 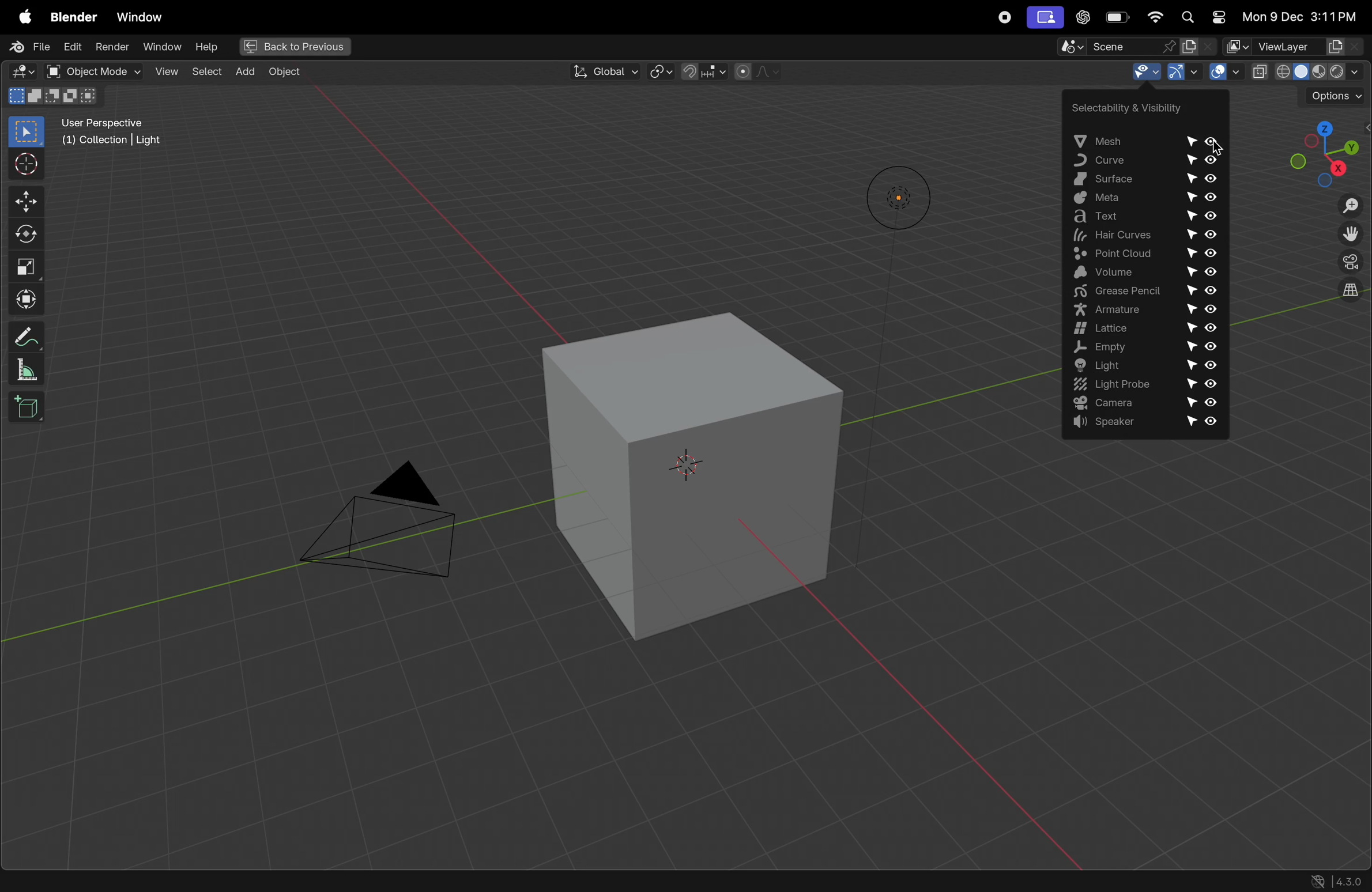 I want to click on options, so click(x=1334, y=95).